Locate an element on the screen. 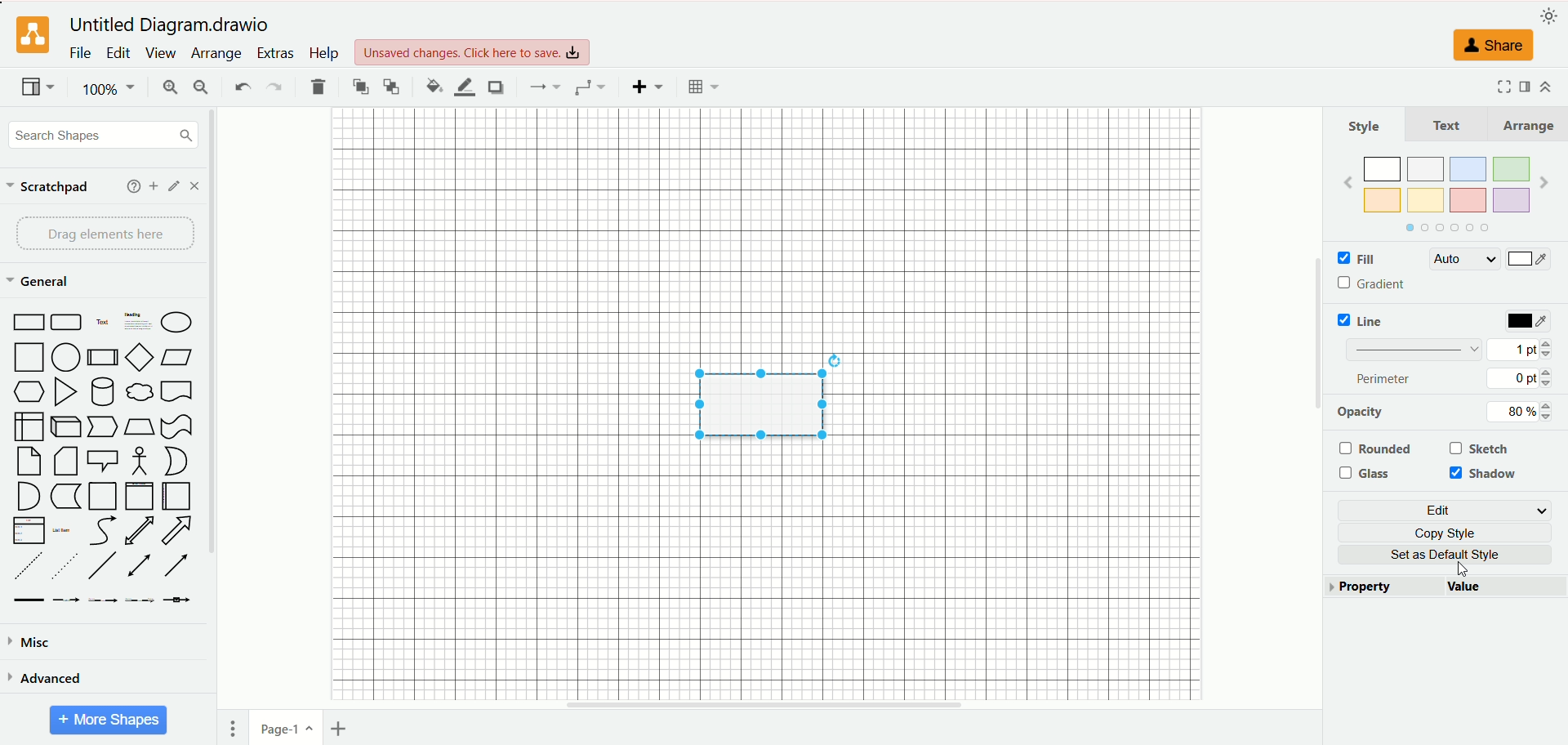 The image size is (1568, 745). general is located at coordinates (42, 283).